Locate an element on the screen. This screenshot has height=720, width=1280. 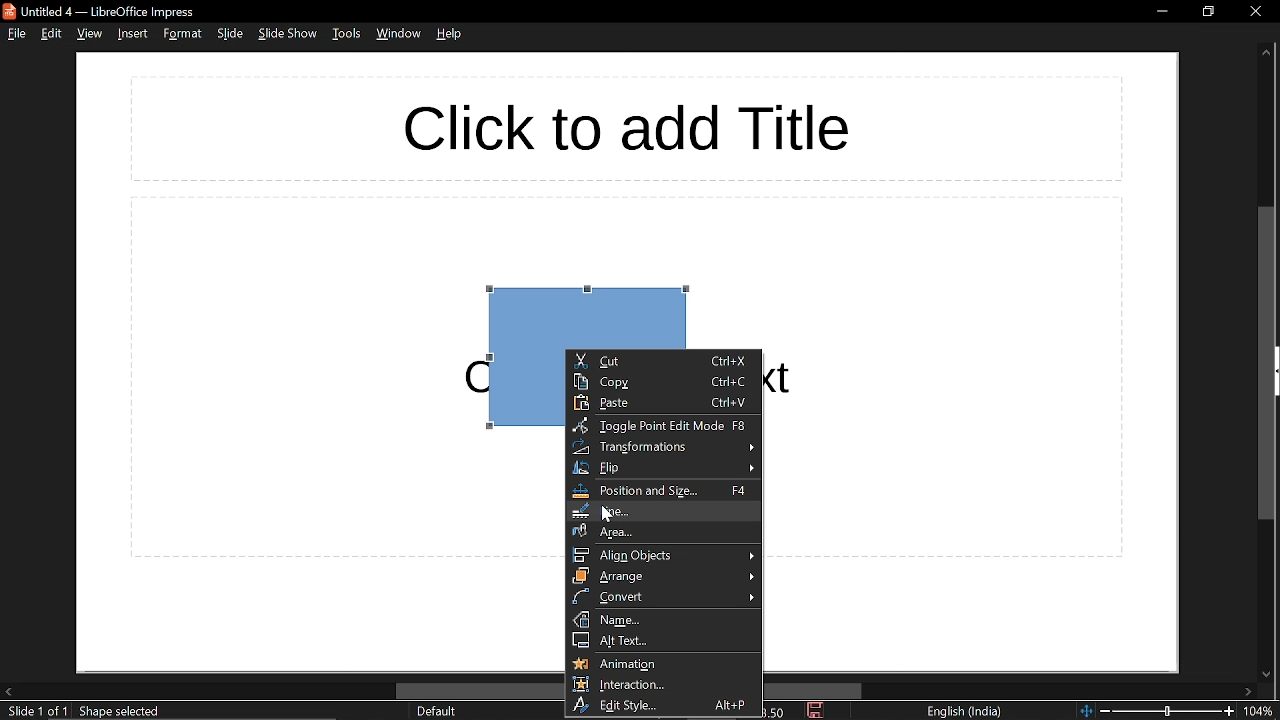
help is located at coordinates (450, 33).